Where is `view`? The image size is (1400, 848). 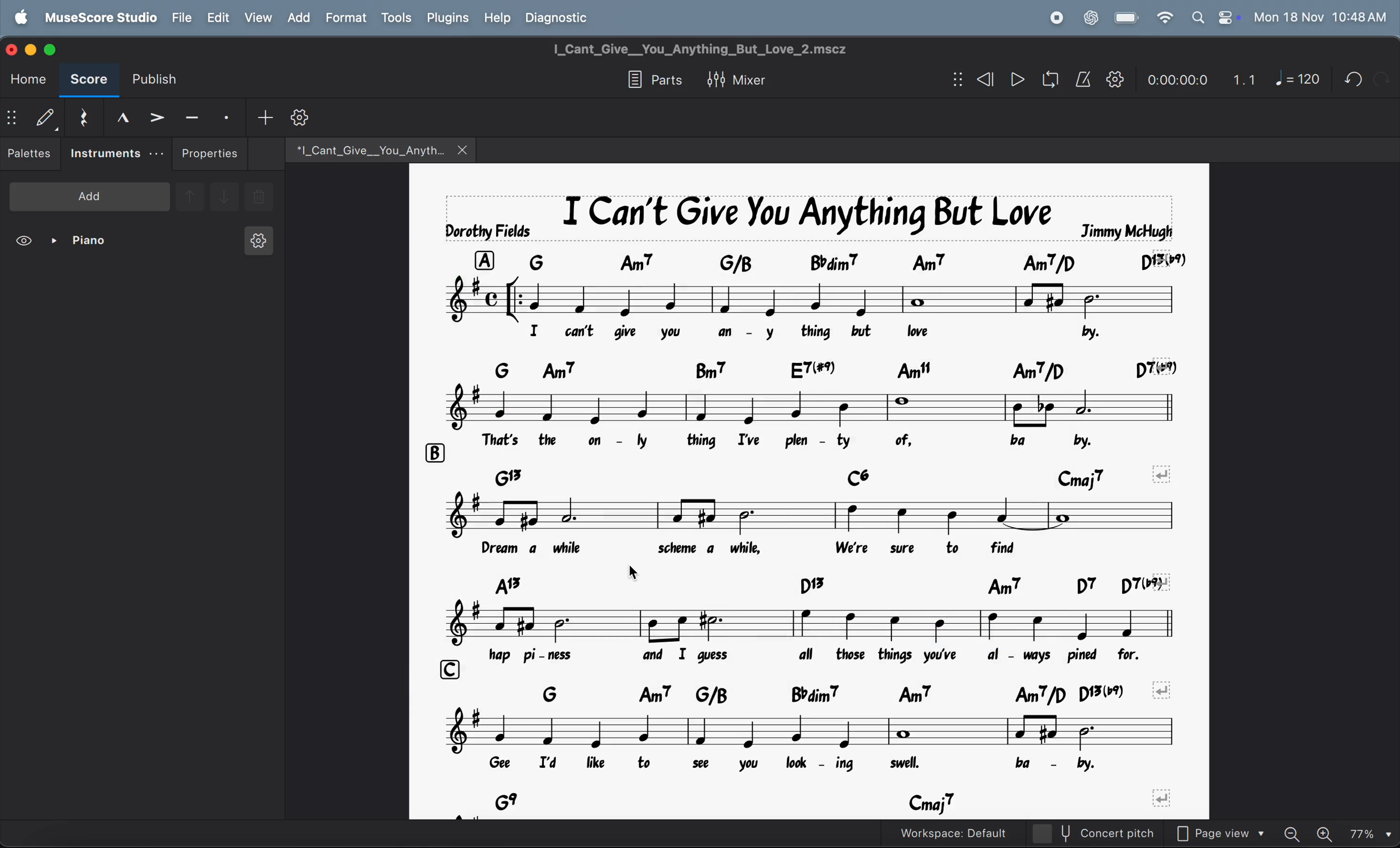
view is located at coordinates (257, 17).